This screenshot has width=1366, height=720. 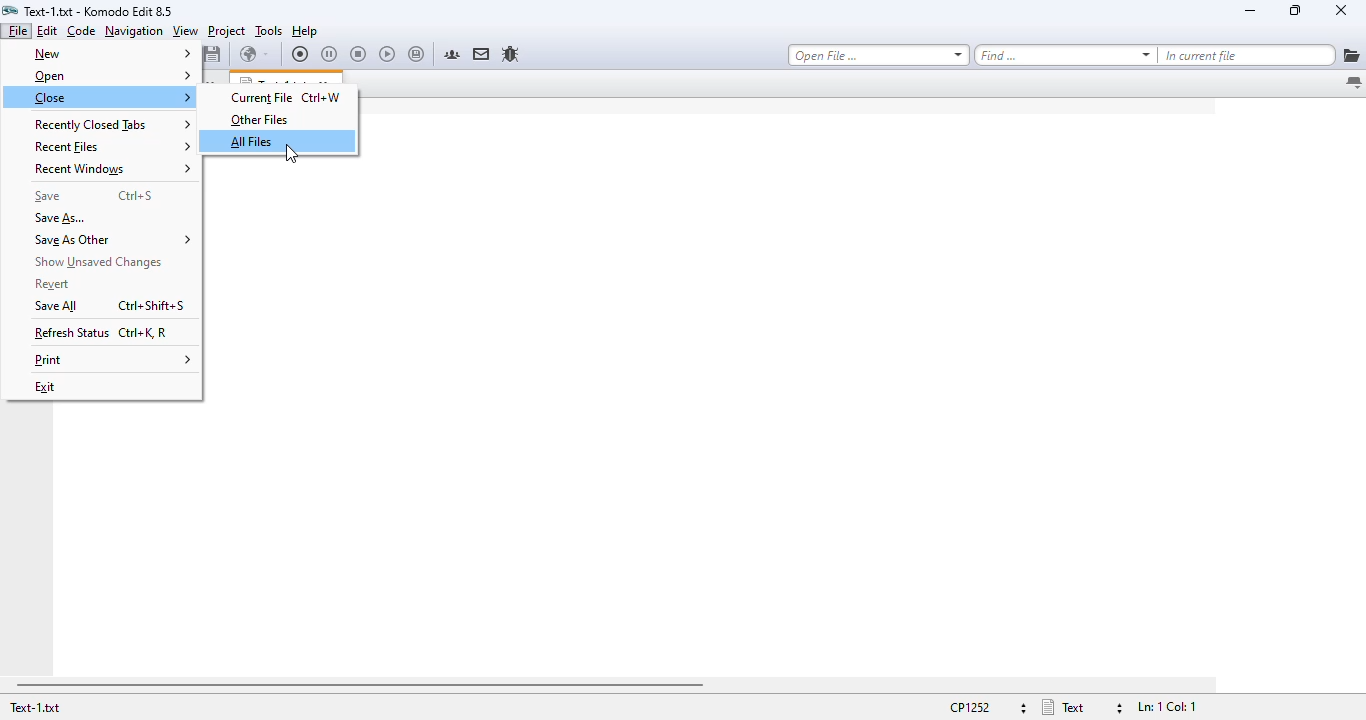 What do you see at coordinates (185, 31) in the screenshot?
I see `view` at bounding box center [185, 31].